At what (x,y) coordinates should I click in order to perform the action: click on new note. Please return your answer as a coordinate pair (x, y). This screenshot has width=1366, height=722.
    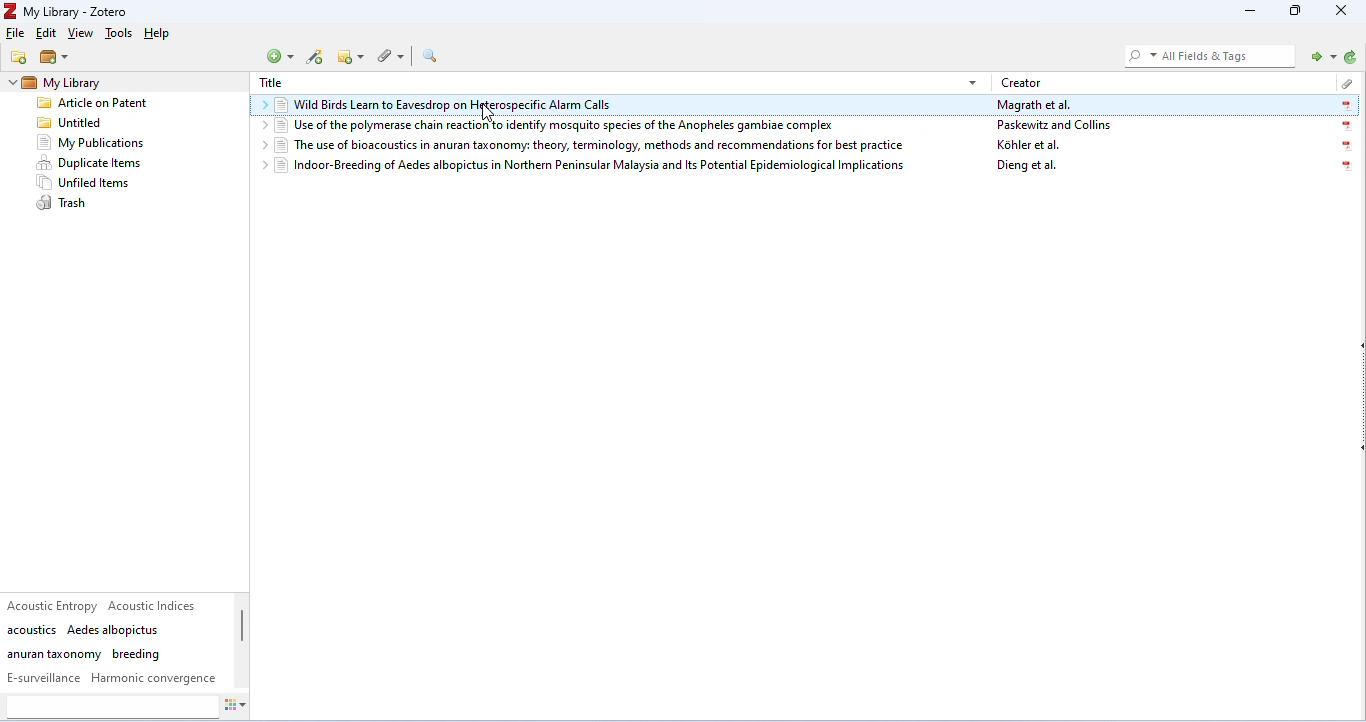
    Looking at the image, I should click on (350, 56).